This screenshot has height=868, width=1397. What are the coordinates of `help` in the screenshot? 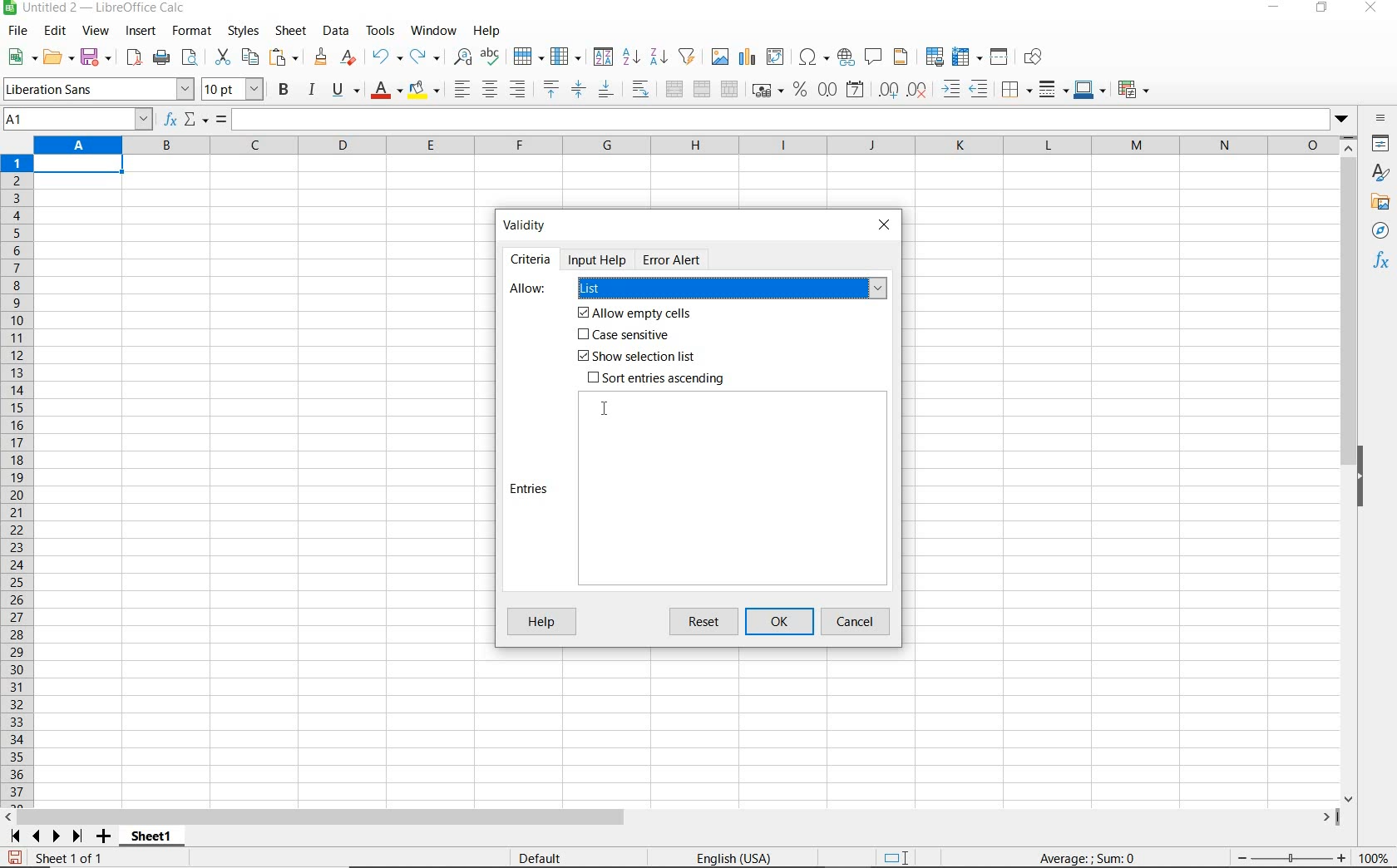 It's located at (486, 31).